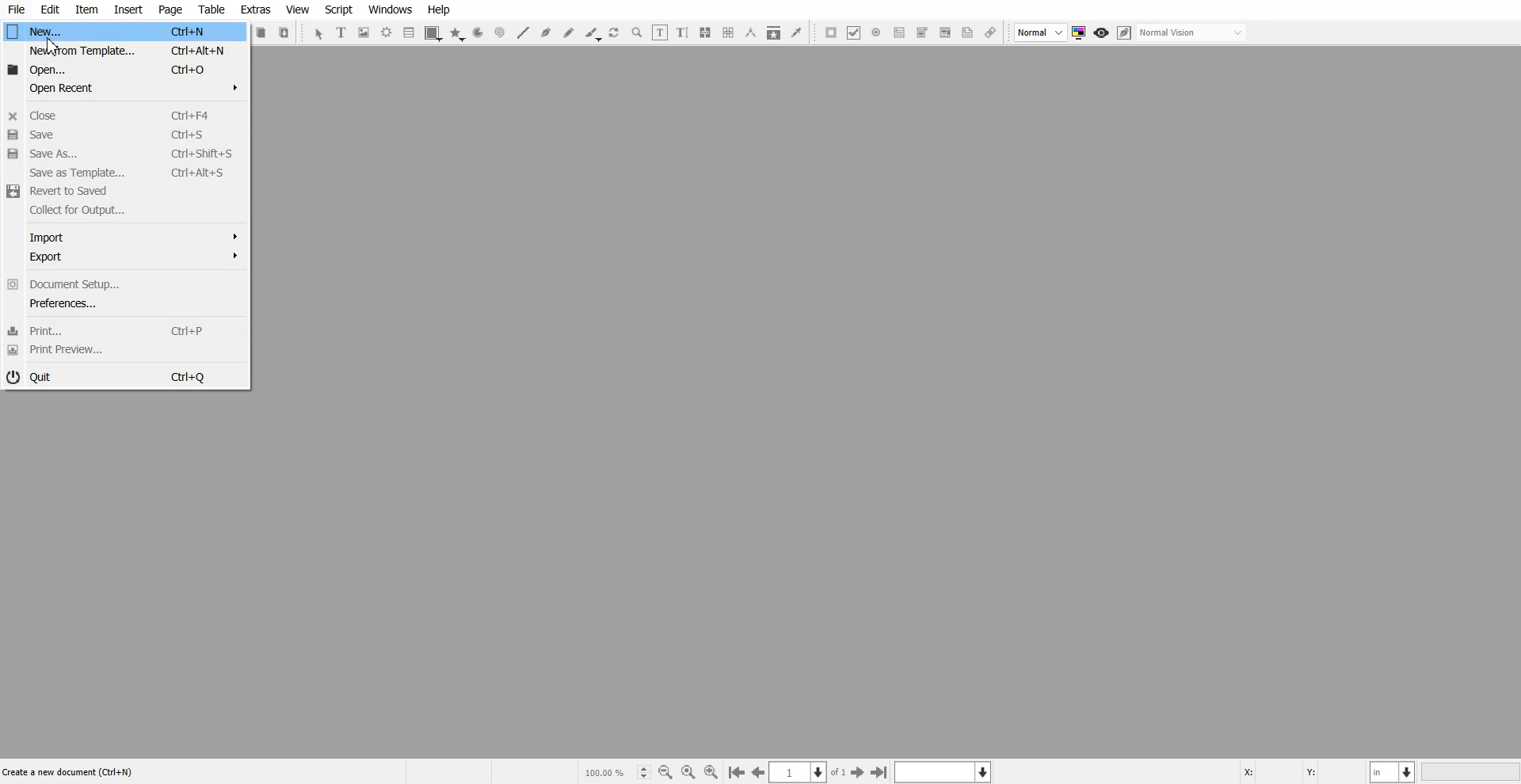  Describe the element at coordinates (990, 33) in the screenshot. I see `Link Annotation` at that location.